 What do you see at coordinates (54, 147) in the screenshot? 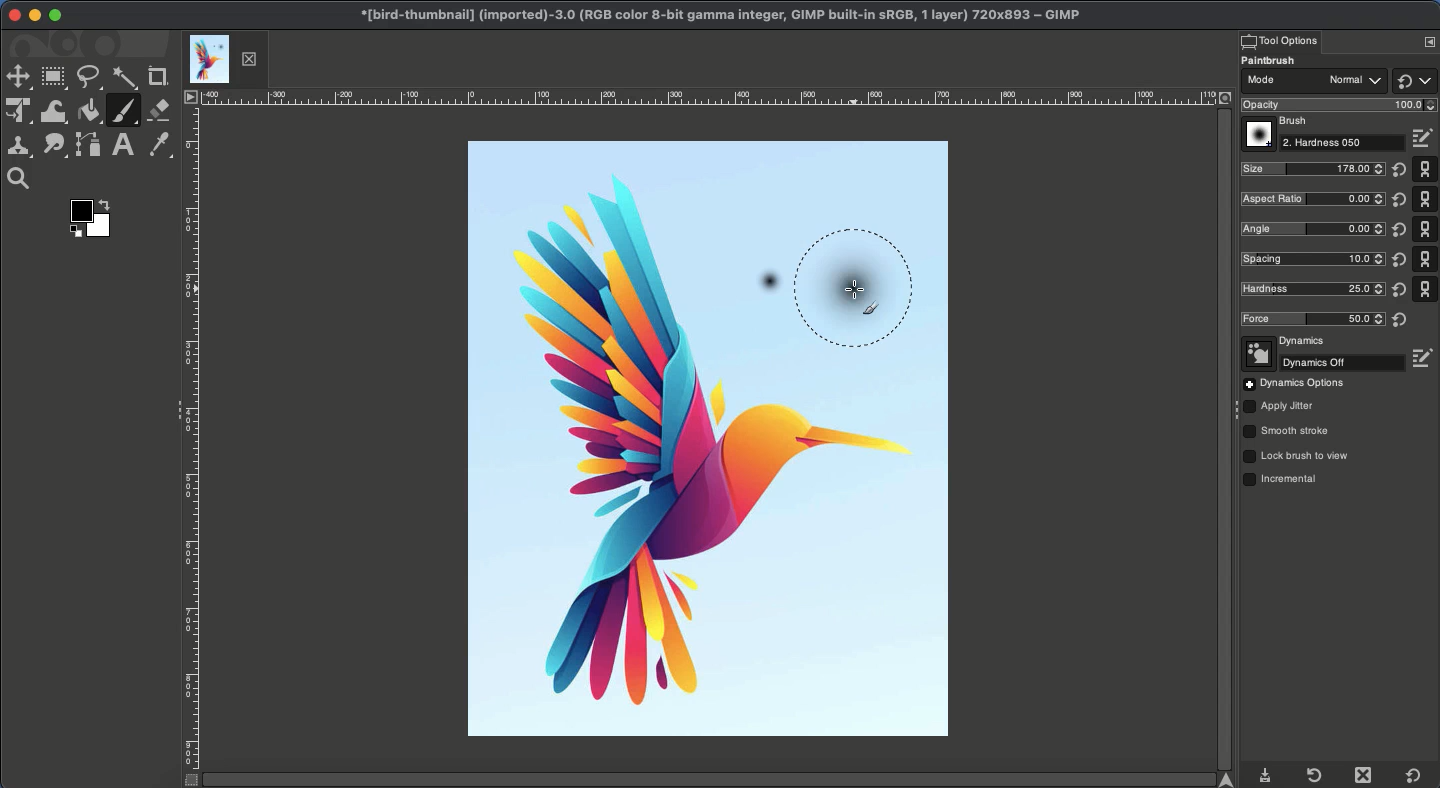
I see `Smudge` at bounding box center [54, 147].